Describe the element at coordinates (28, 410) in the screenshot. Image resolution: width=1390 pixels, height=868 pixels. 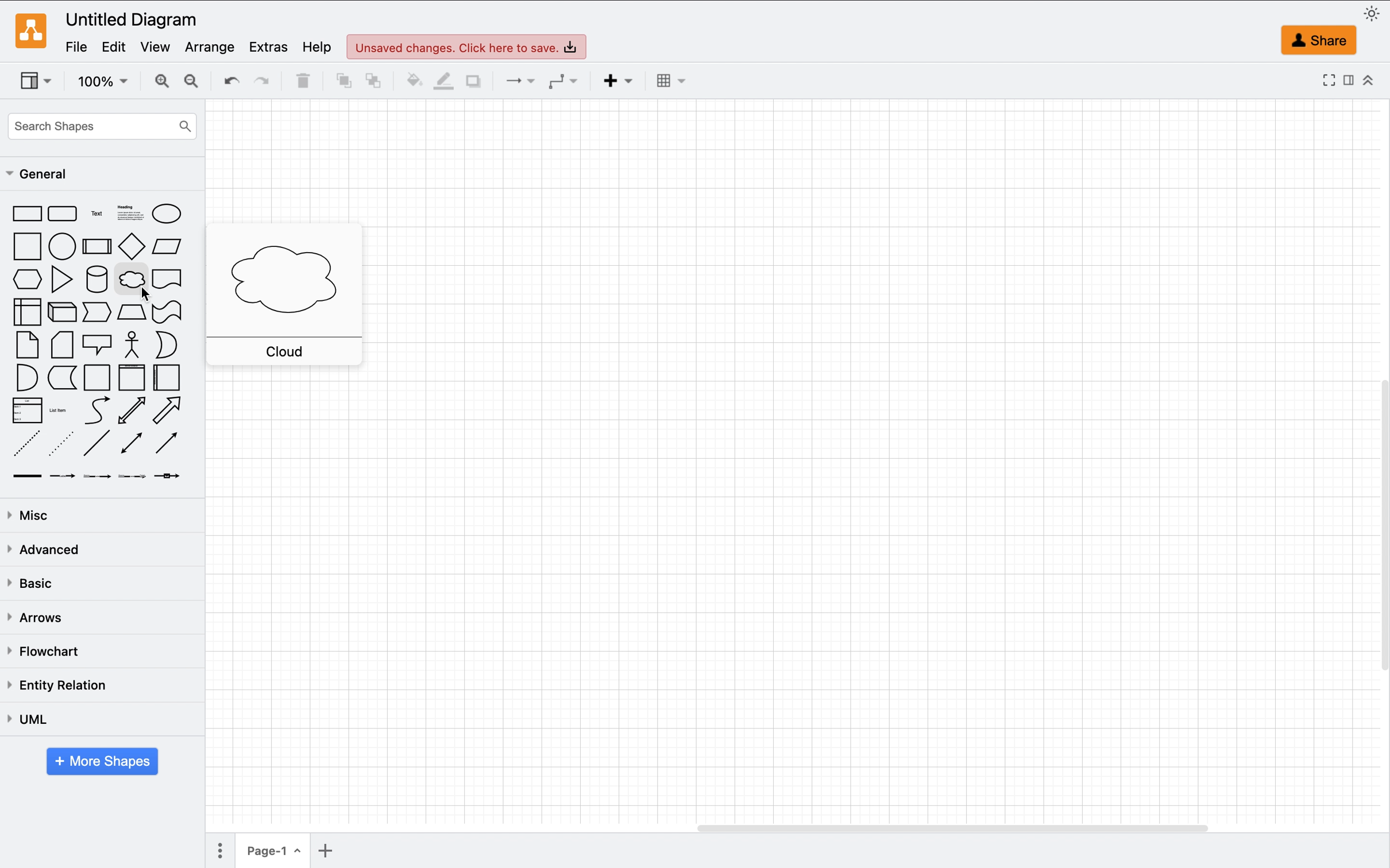
I see `list` at that location.